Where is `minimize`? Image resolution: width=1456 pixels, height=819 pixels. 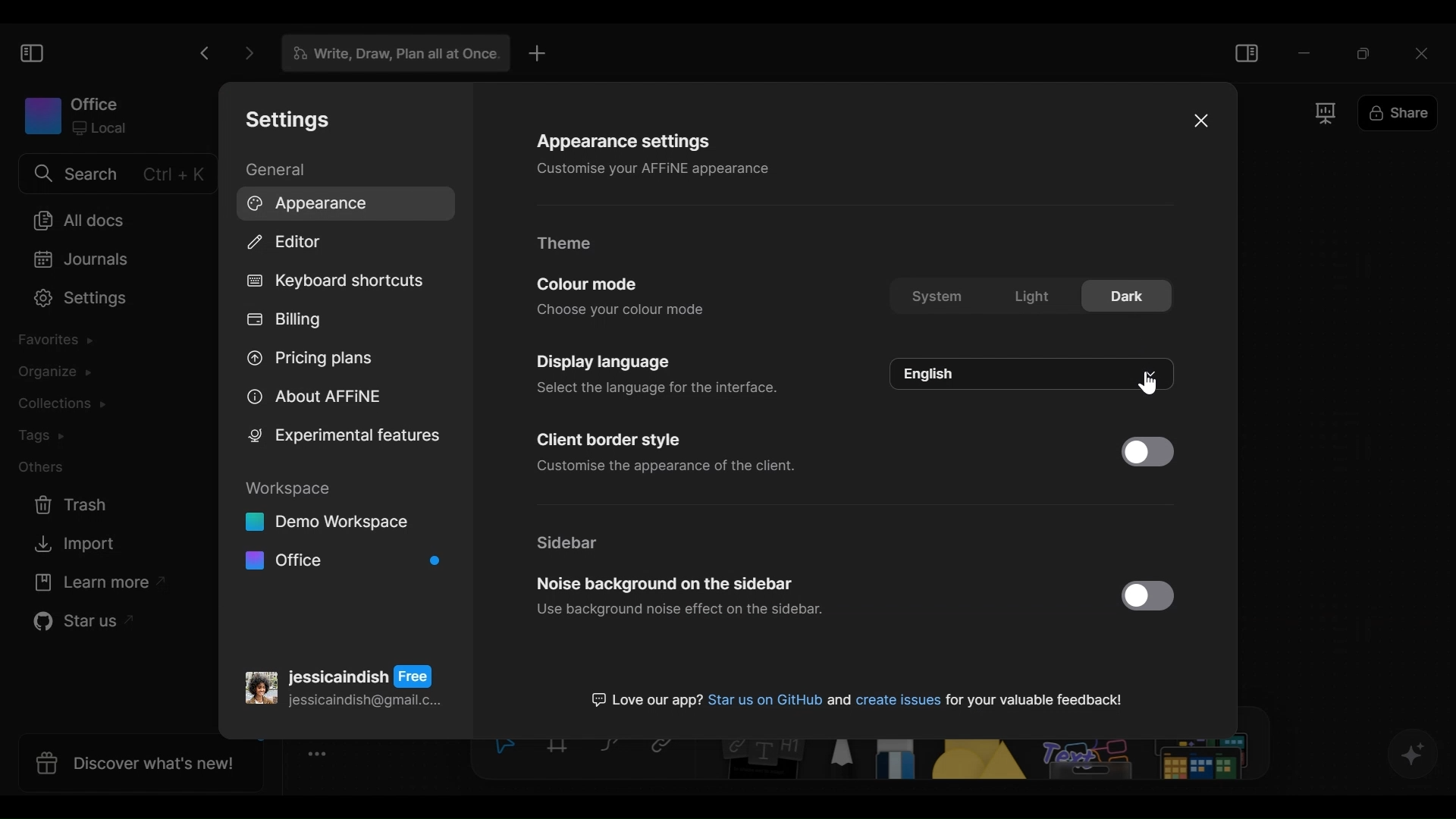
minimize is located at coordinates (1305, 52).